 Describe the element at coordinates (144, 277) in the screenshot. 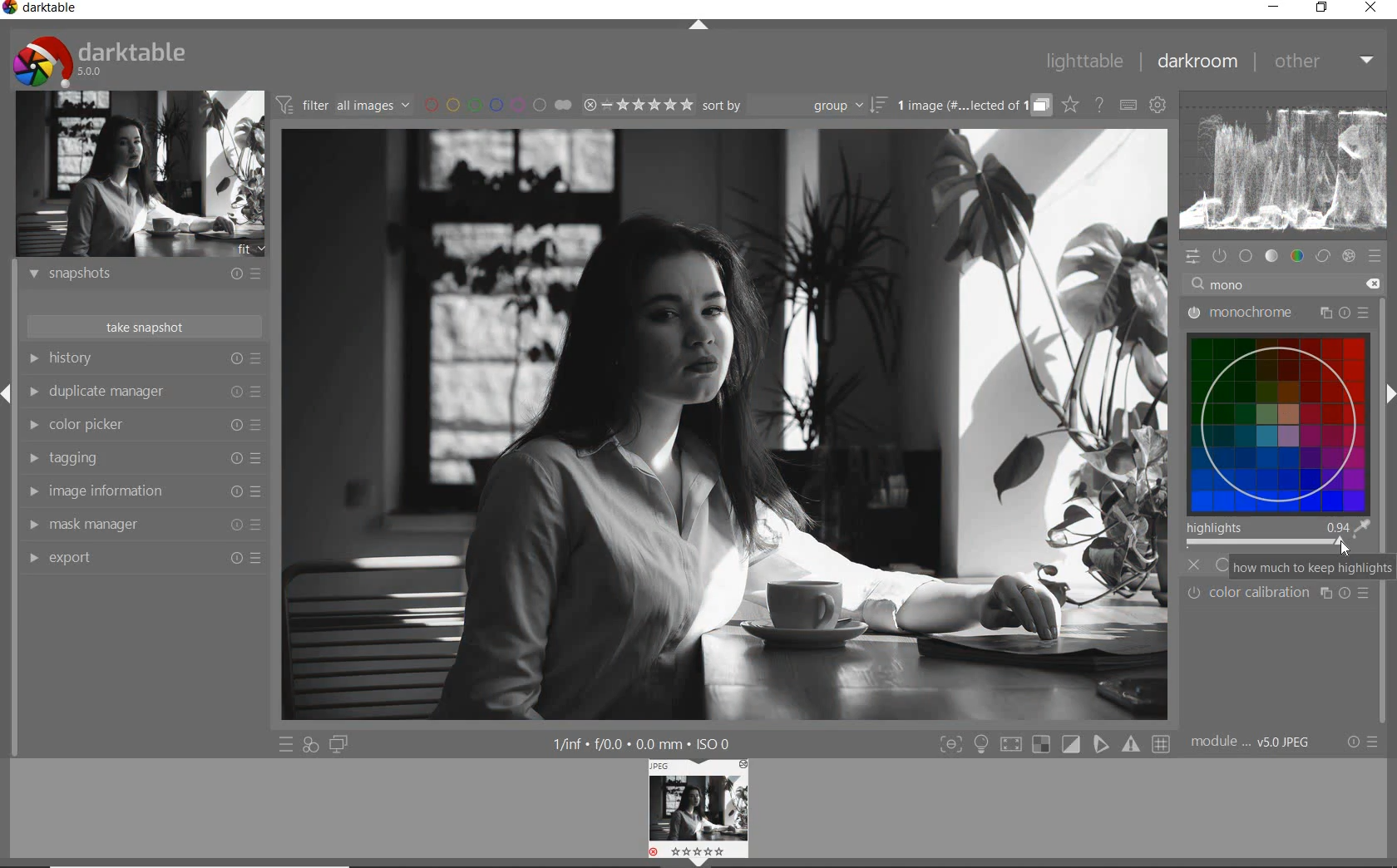

I see `snapshots` at that location.